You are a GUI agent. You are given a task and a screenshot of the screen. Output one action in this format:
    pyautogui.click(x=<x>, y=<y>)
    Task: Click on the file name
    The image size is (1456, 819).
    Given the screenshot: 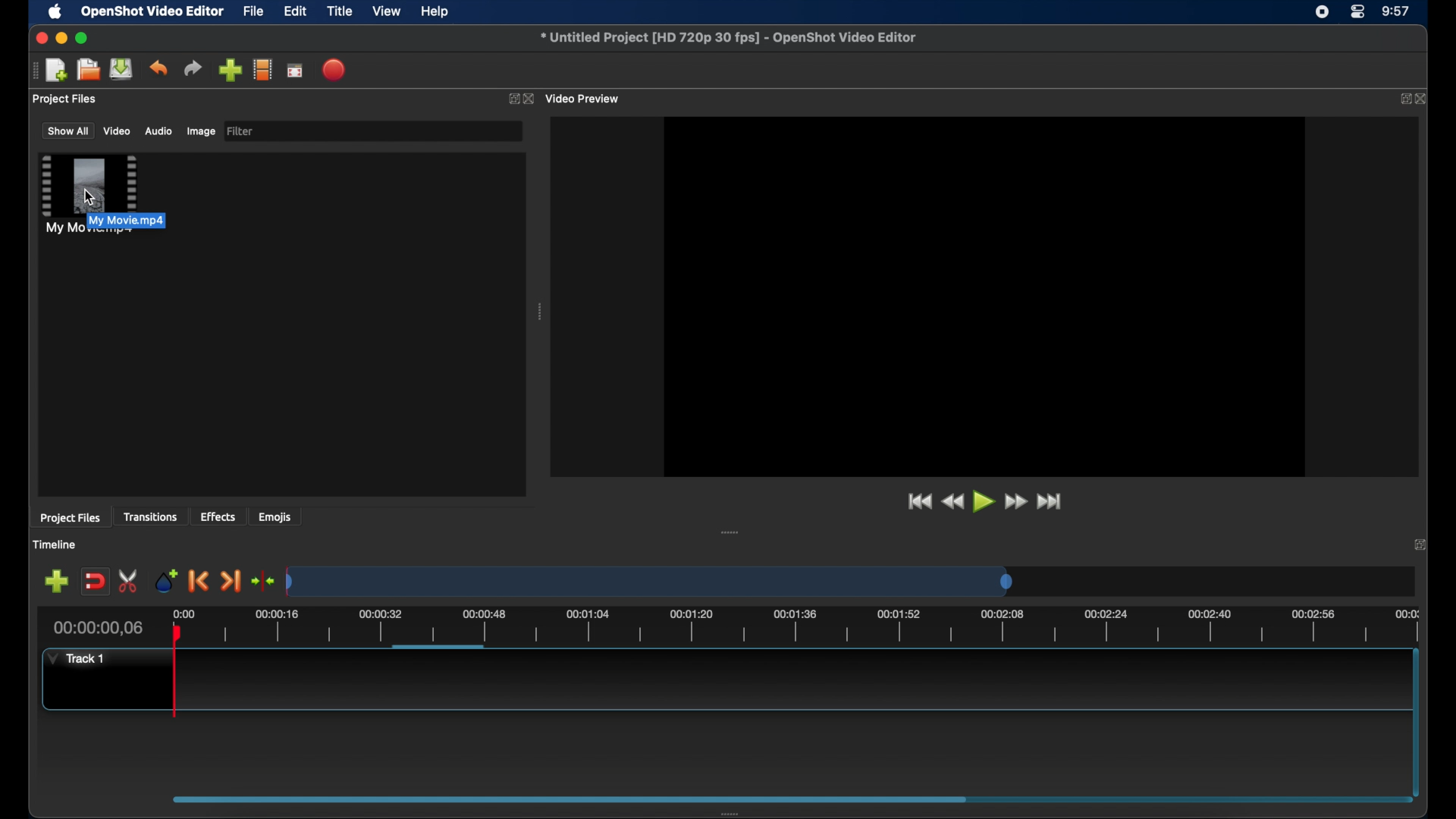 What is the action you would take?
    pyautogui.click(x=730, y=38)
    